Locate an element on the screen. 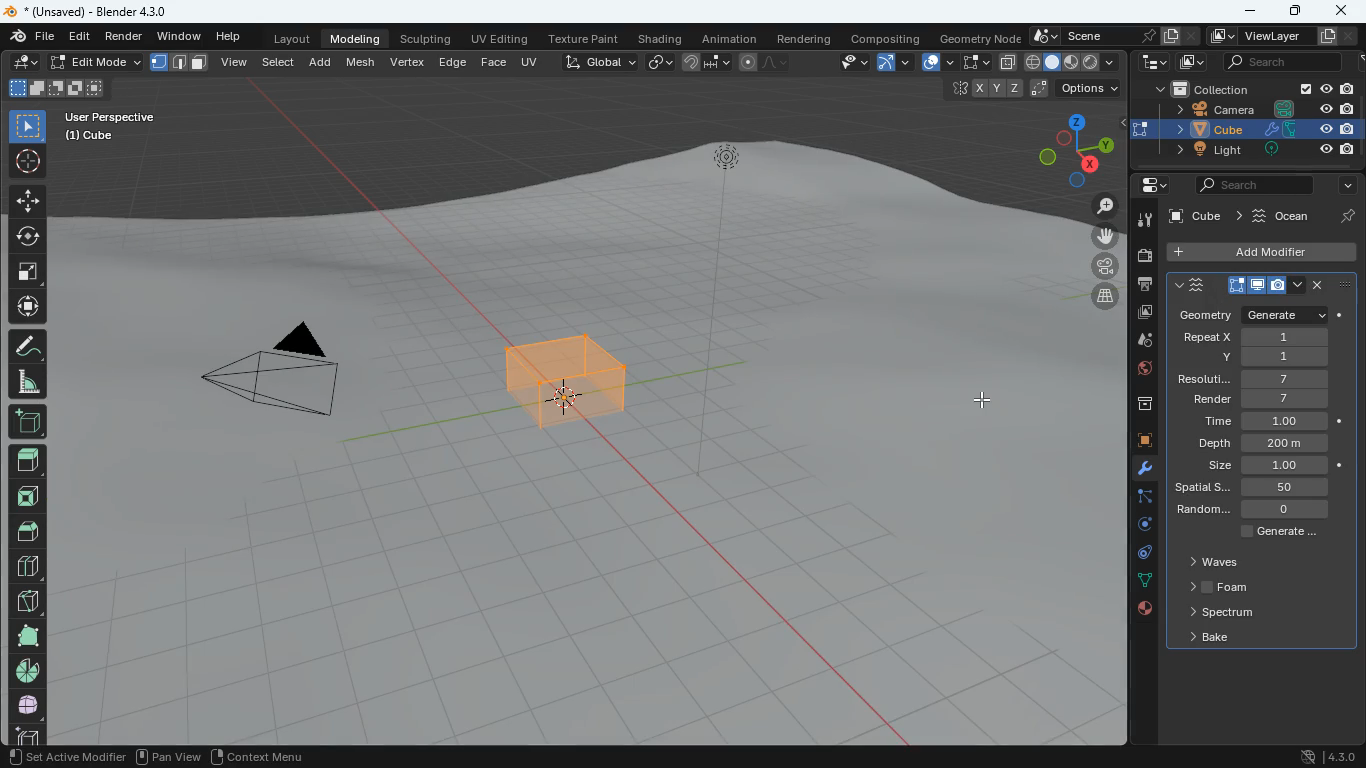 The image size is (1366, 768). foam is located at coordinates (1217, 585).